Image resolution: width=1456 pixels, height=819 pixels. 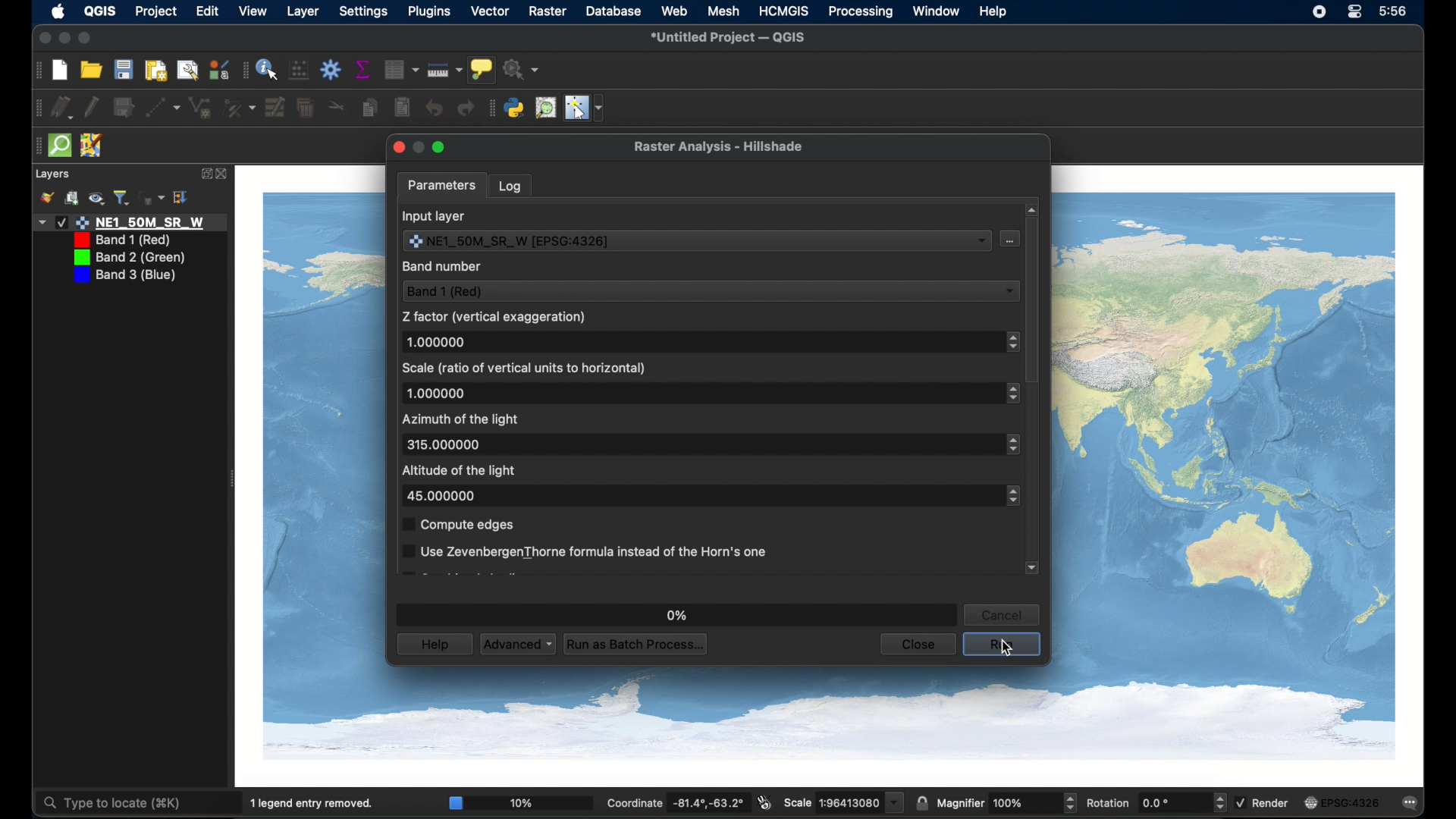 I want to click on view, so click(x=255, y=11).